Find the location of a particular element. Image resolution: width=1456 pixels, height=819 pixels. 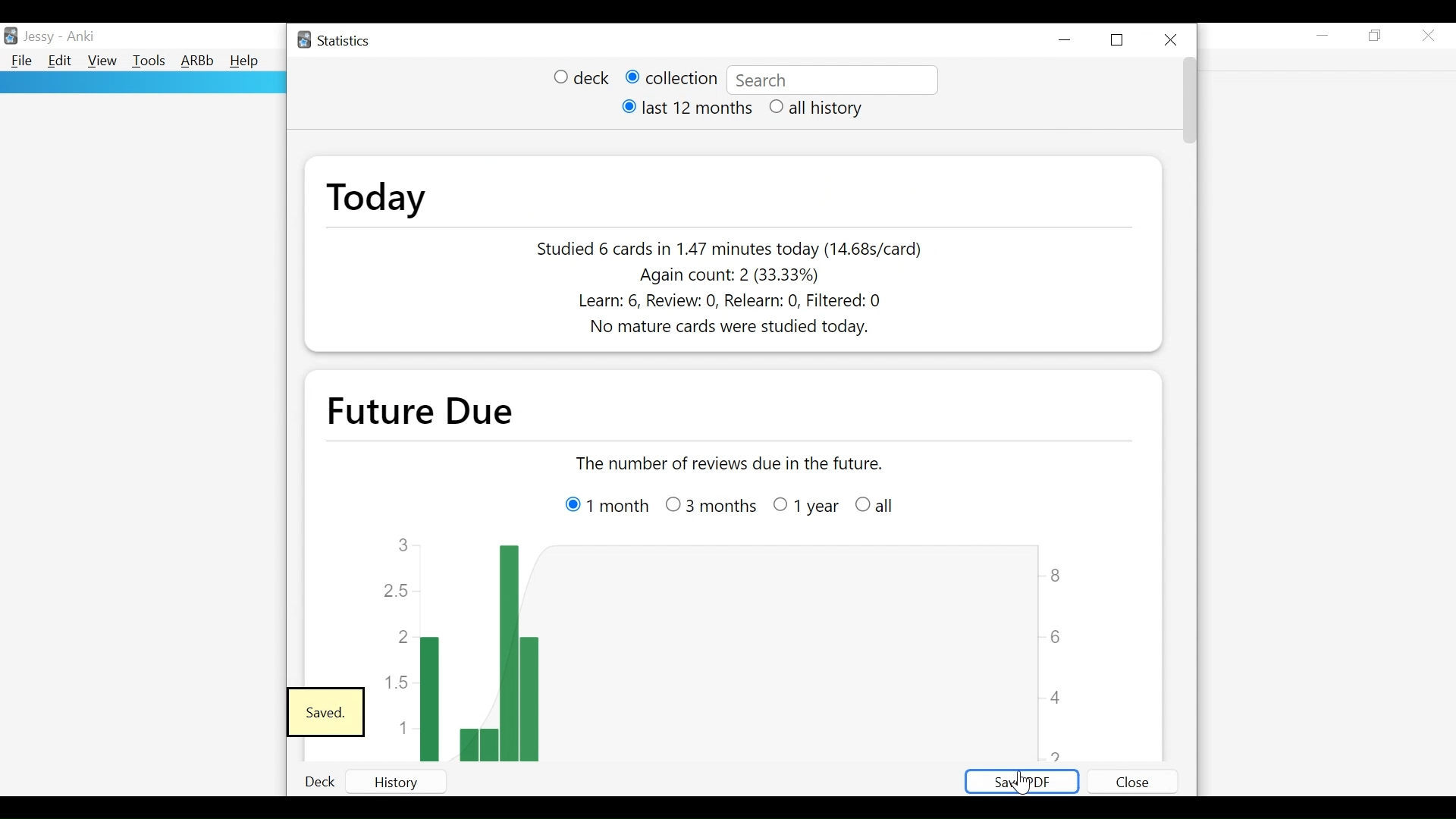

Anki Desktop Icon is located at coordinates (12, 35).